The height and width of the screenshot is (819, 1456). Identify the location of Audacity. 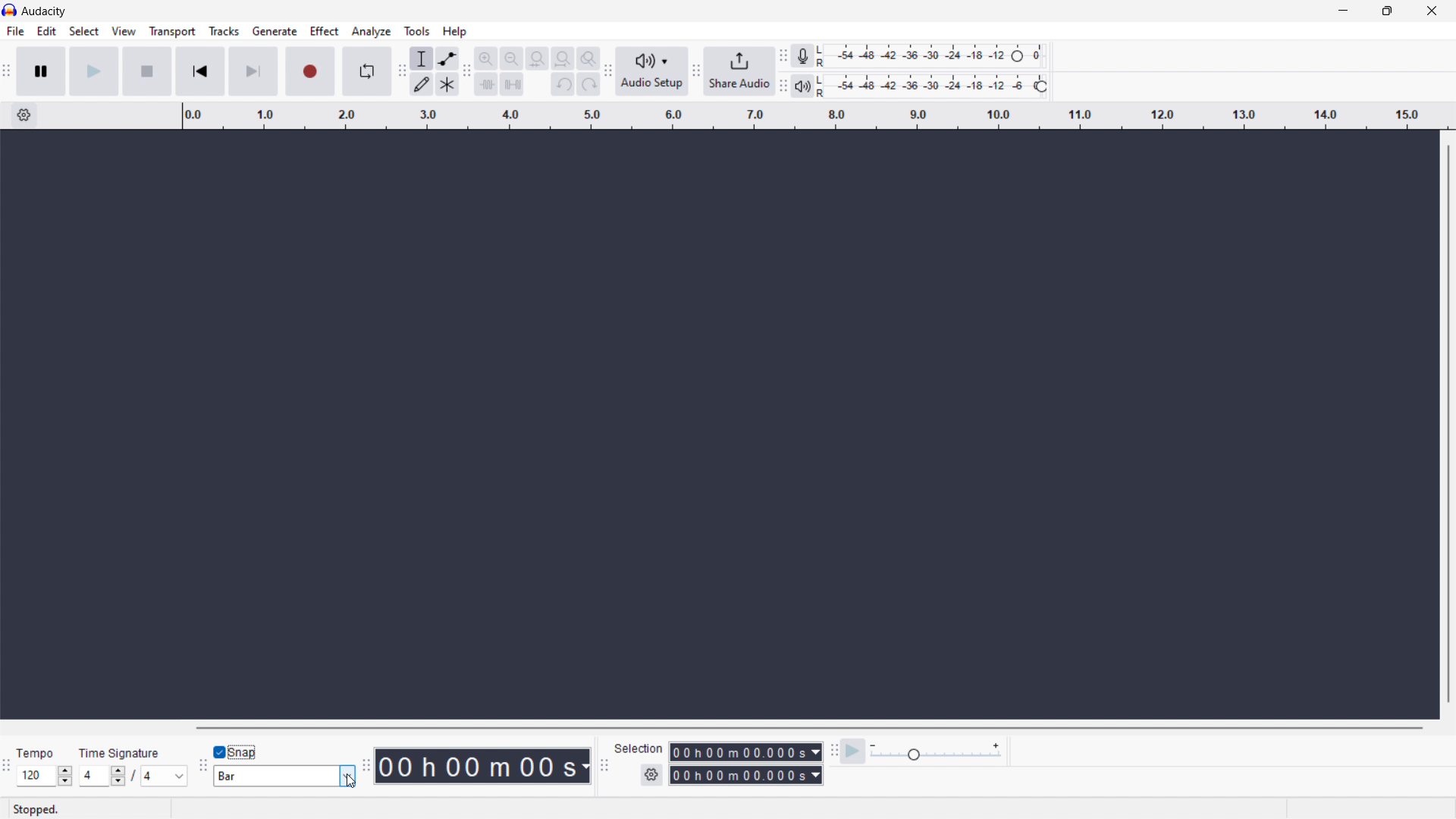
(45, 11).